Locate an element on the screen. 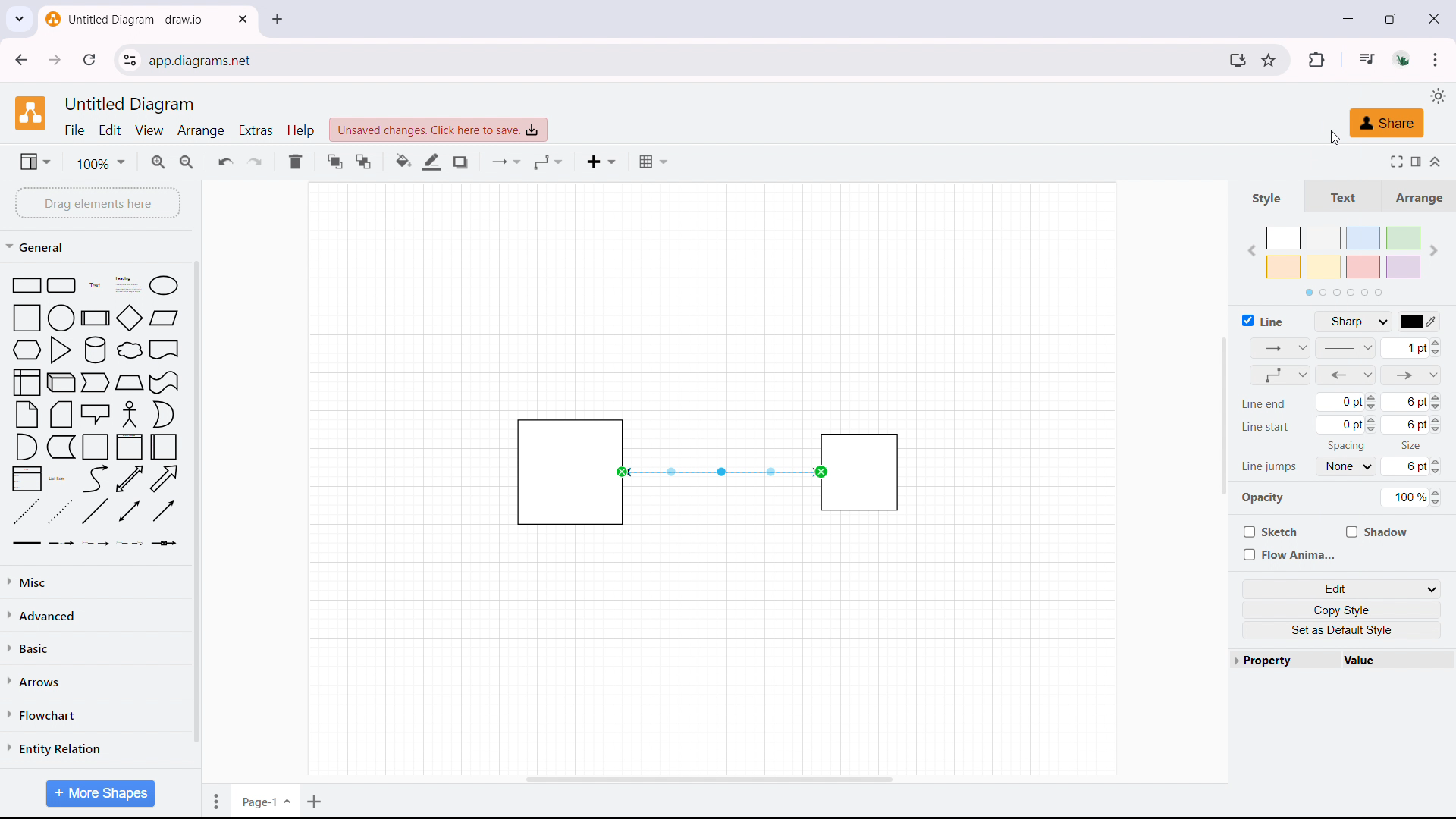 The height and width of the screenshot is (819, 1456). to front is located at coordinates (334, 161).